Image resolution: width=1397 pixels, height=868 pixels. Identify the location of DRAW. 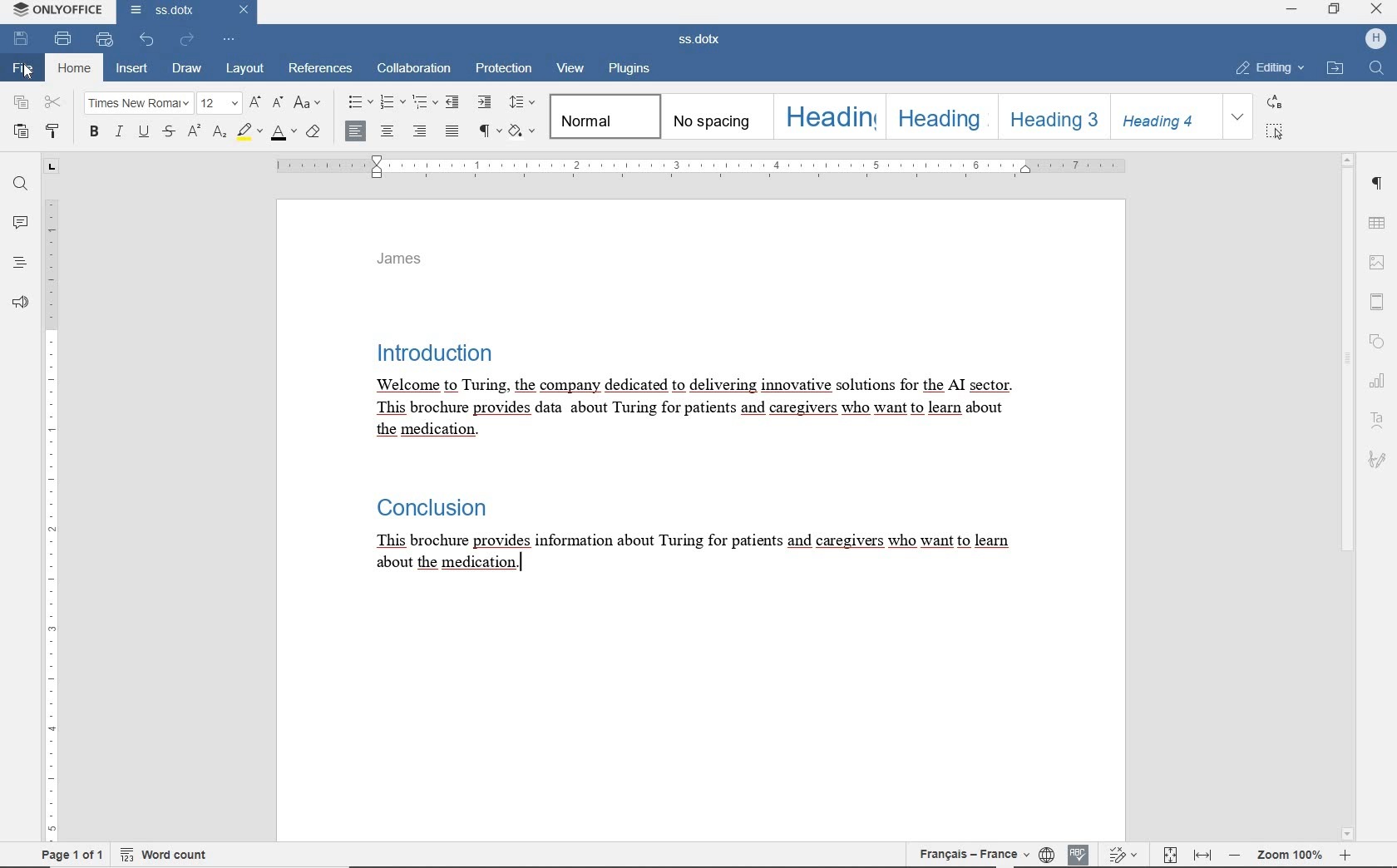
(187, 68).